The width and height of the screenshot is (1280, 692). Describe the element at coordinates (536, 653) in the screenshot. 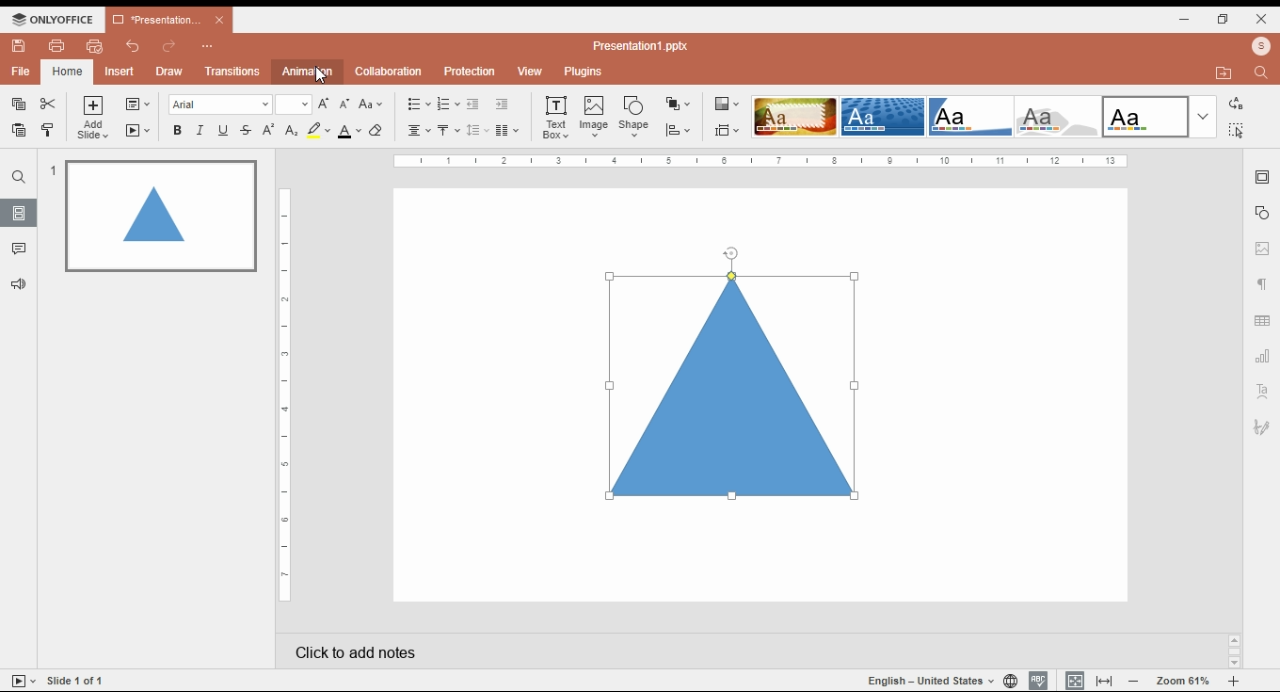

I see `click add notes` at that location.